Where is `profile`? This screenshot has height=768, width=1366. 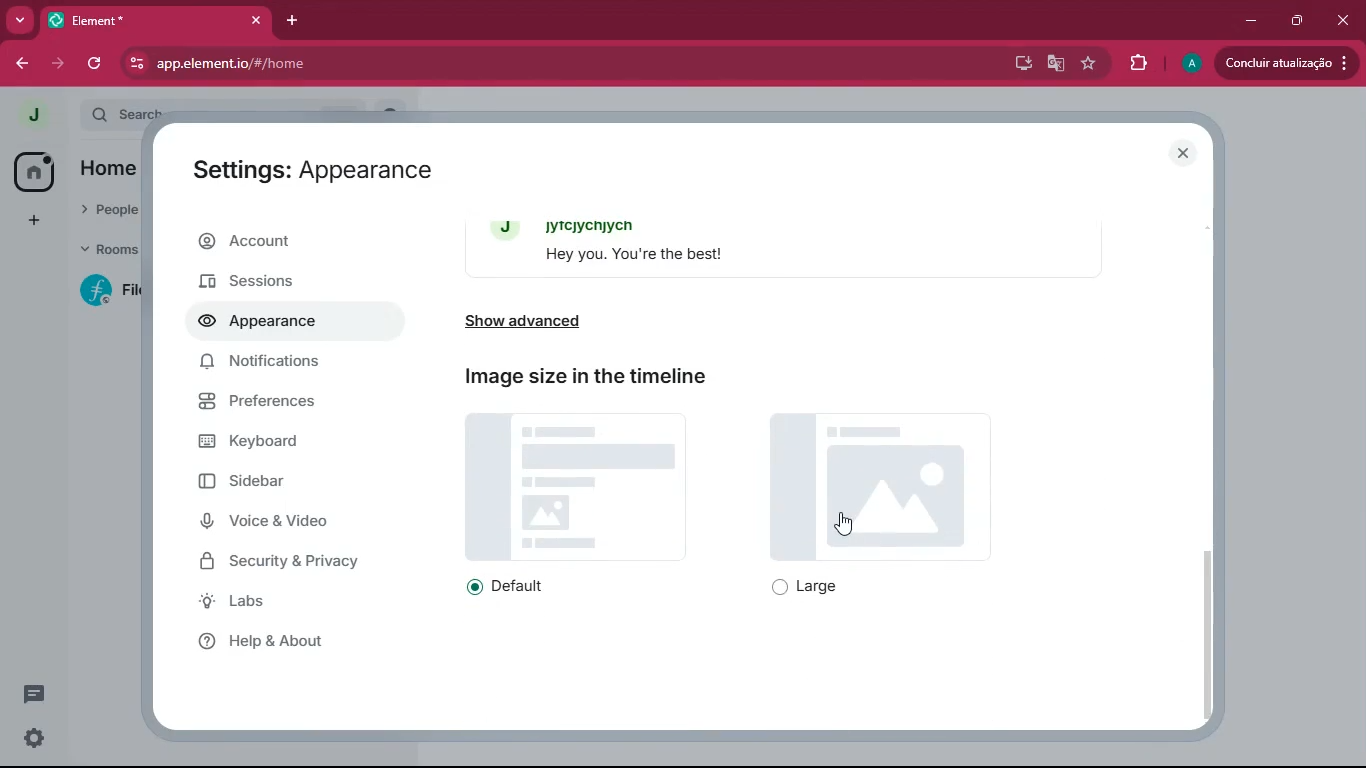
profile is located at coordinates (1188, 63).